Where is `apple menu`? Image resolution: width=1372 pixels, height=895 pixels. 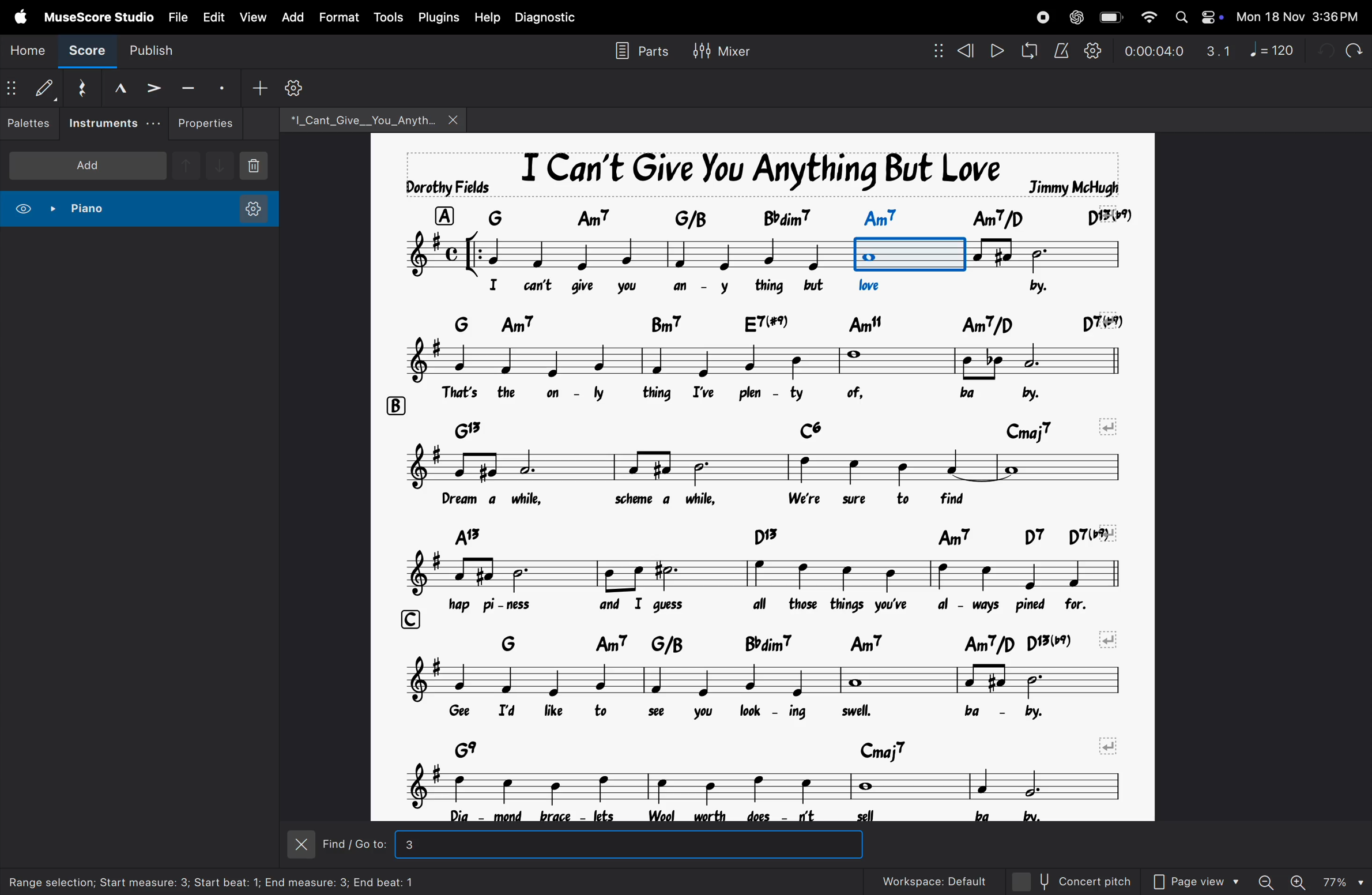
apple menu is located at coordinates (16, 17).